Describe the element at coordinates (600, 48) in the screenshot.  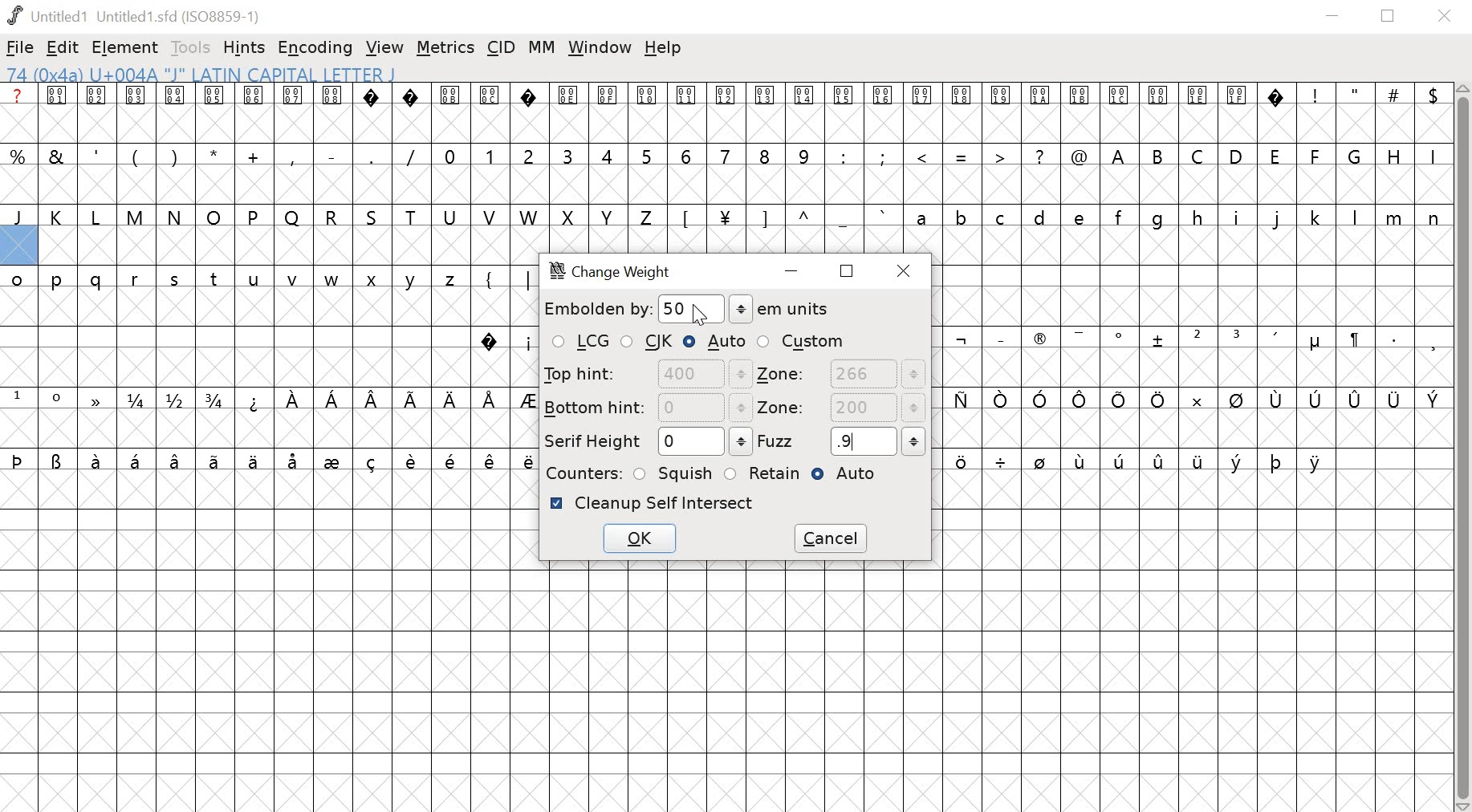
I see `window` at that location.